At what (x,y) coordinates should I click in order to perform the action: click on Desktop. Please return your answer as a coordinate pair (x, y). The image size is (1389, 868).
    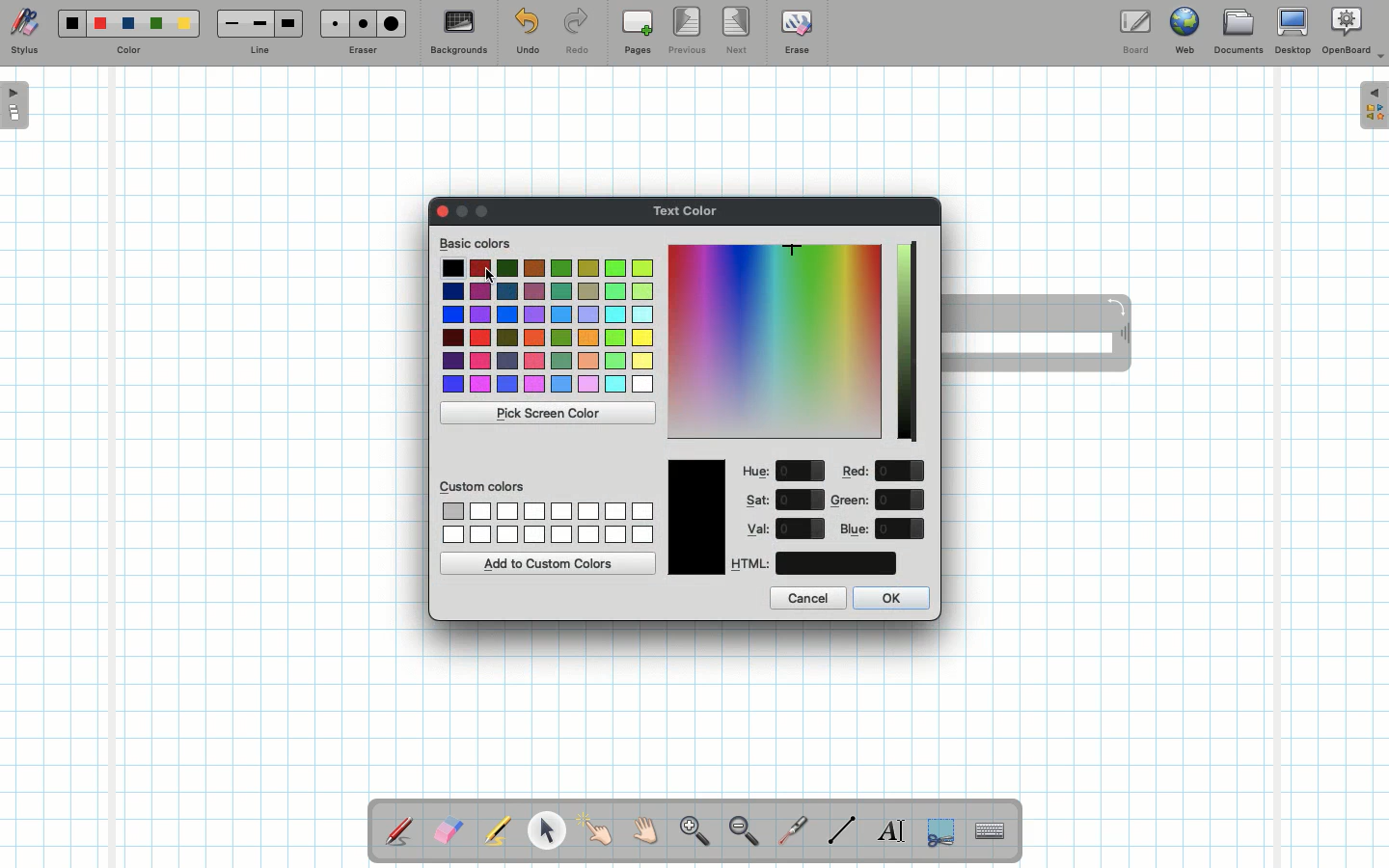
    Looking at the image, I should click on (1295, 31).